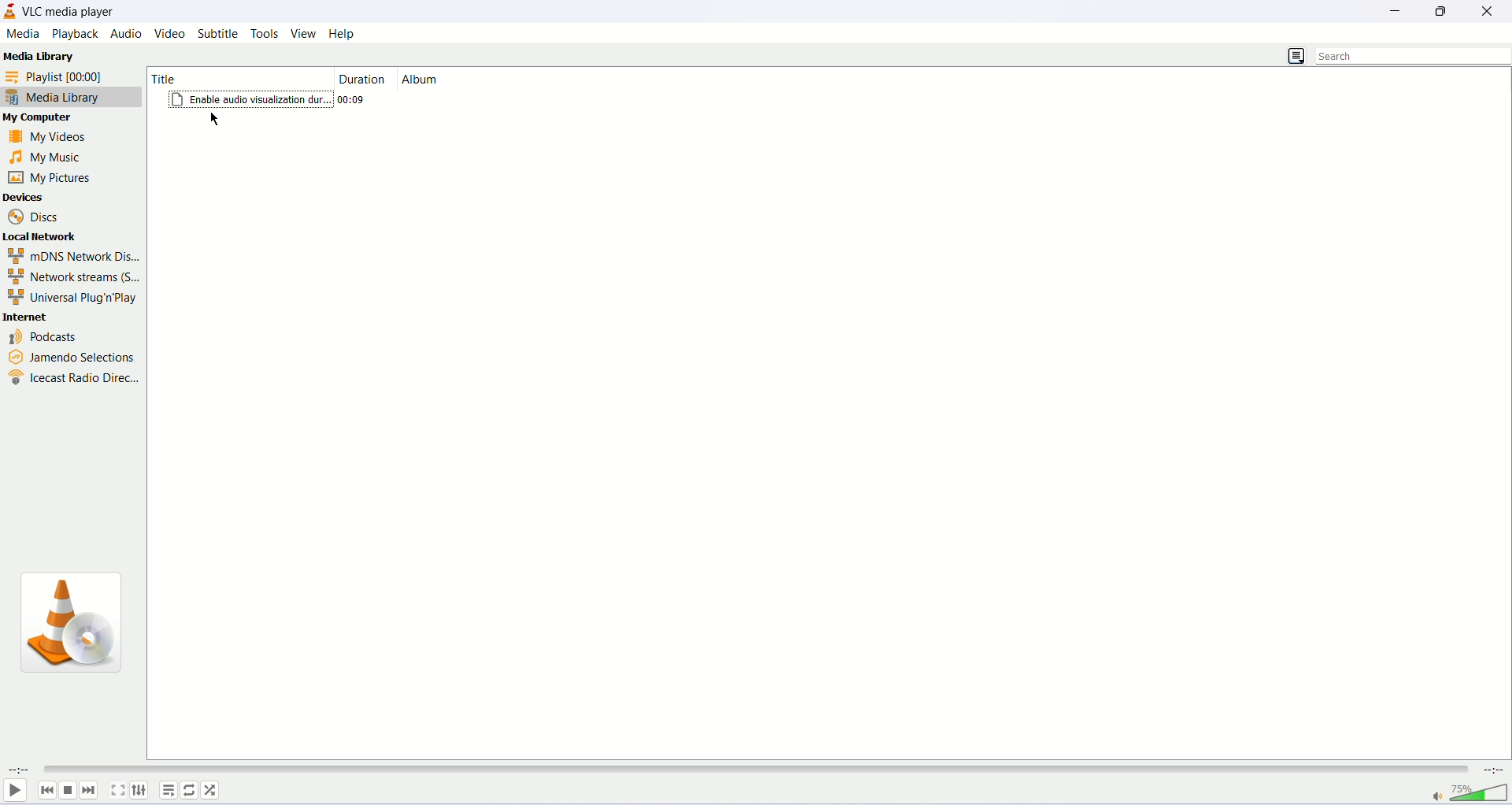 The height and width of the screenshot is (805, 1512). What do you see at coordinates (72, 377) in the screenshot?
I see `icecast radio` at bounding box center [72, 377].